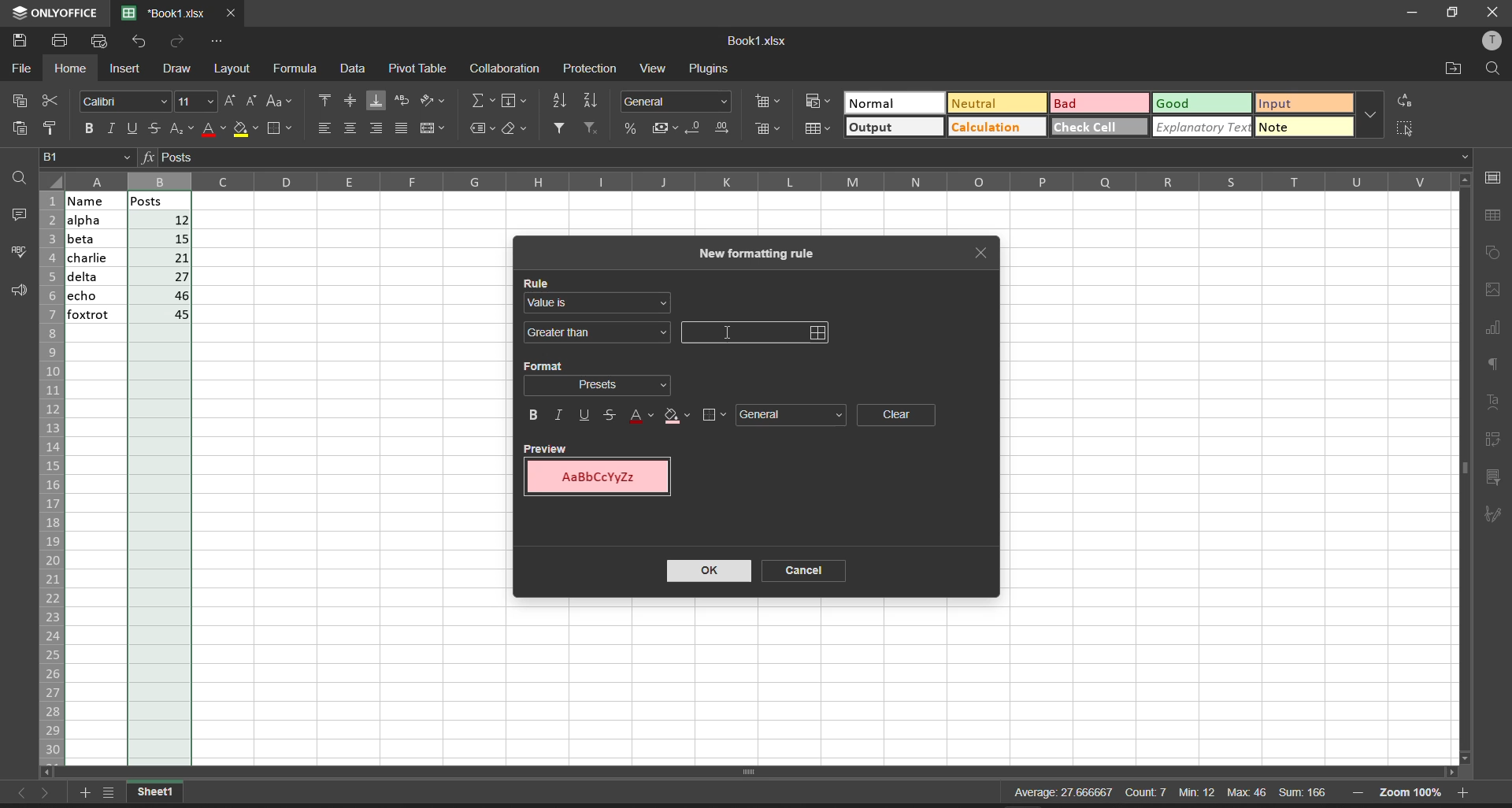 This screenshot has width=1512, height=808. What do you see at coordinates (109, 129) in the screenshot?
I see `italic` at bounding box center [109, 129].